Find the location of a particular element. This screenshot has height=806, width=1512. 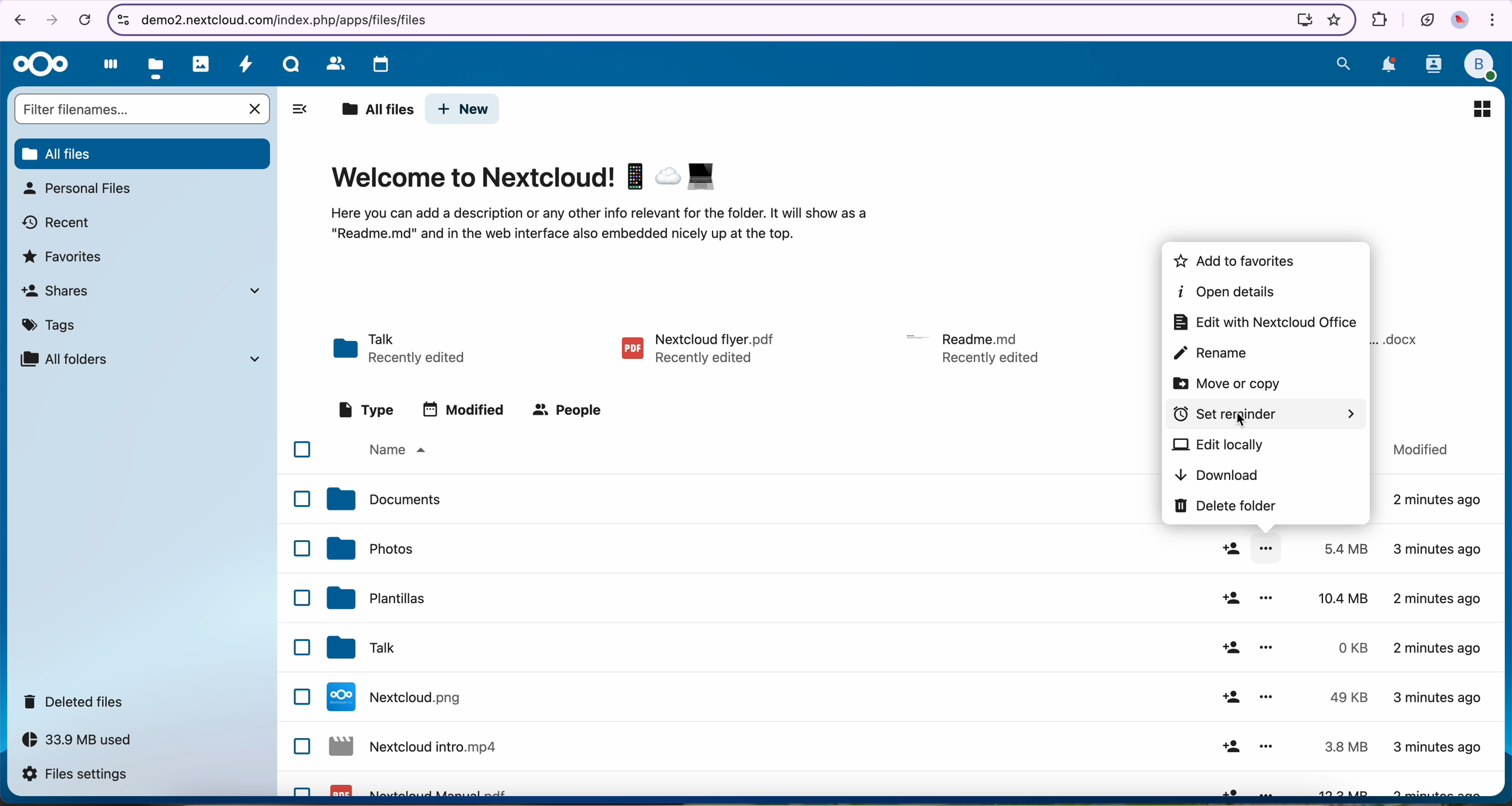

documents is located at coordinates (386, 500).